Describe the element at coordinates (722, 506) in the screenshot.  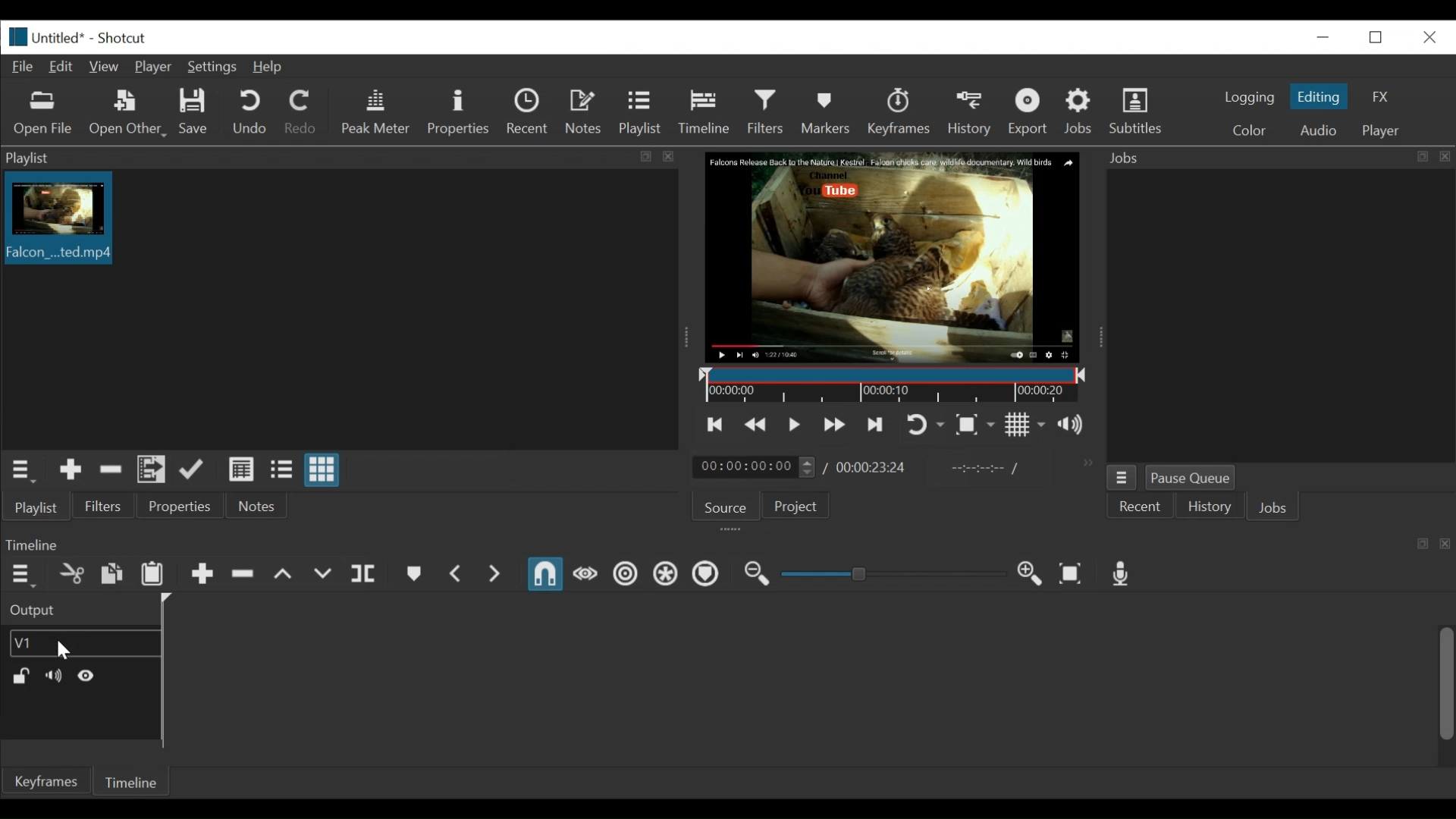
I see `Source` at that location.